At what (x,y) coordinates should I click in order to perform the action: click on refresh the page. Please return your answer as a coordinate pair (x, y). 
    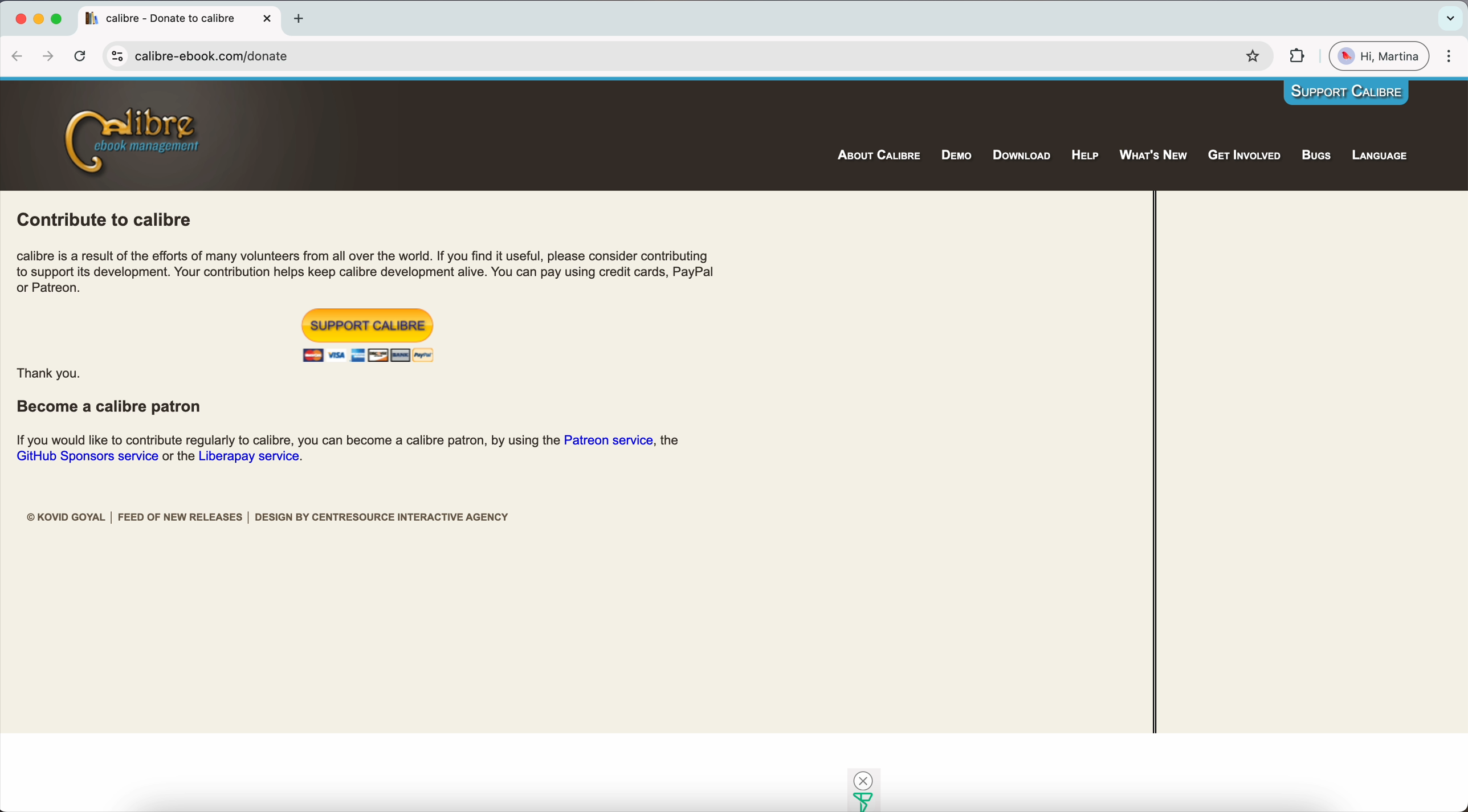
    Looking at the image, I should click on (80, 56).